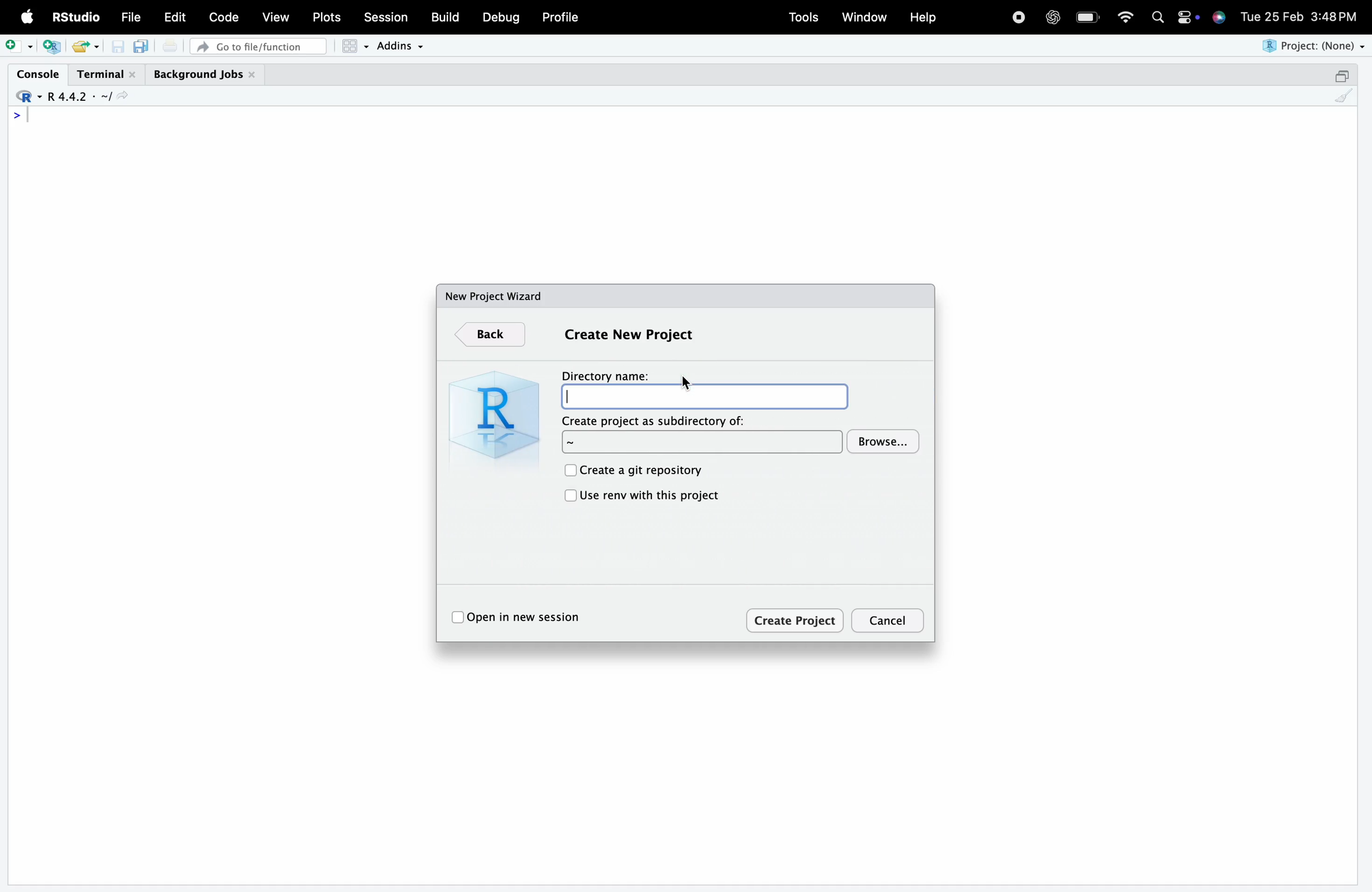 This screenshot has height=892, width=1372. What do you see at coordinates (355, 46) in the screenshot?
I see `Workspace panes` at bounding box center [355, 46].